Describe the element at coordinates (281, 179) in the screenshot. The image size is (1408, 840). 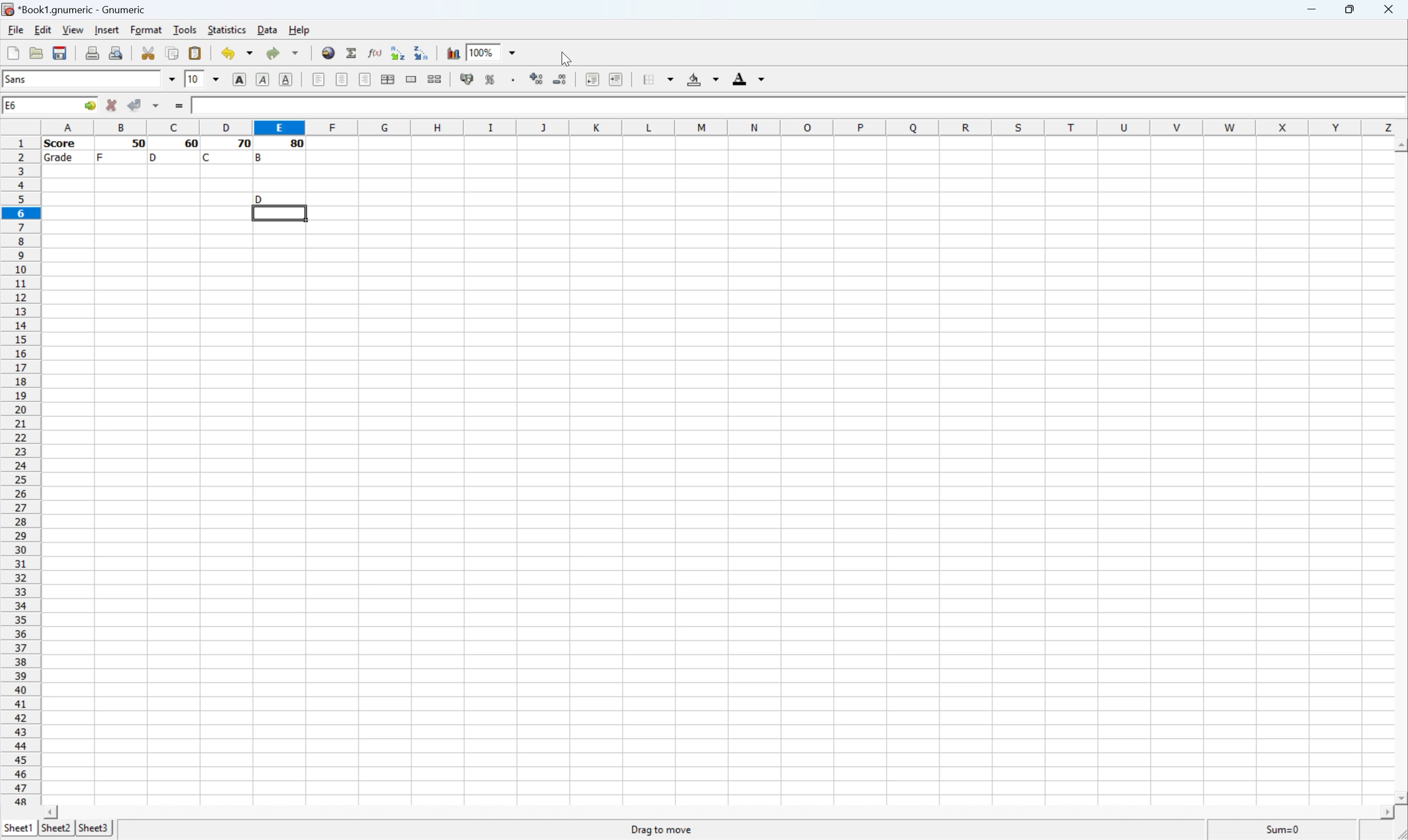
I see `cells` at that location.